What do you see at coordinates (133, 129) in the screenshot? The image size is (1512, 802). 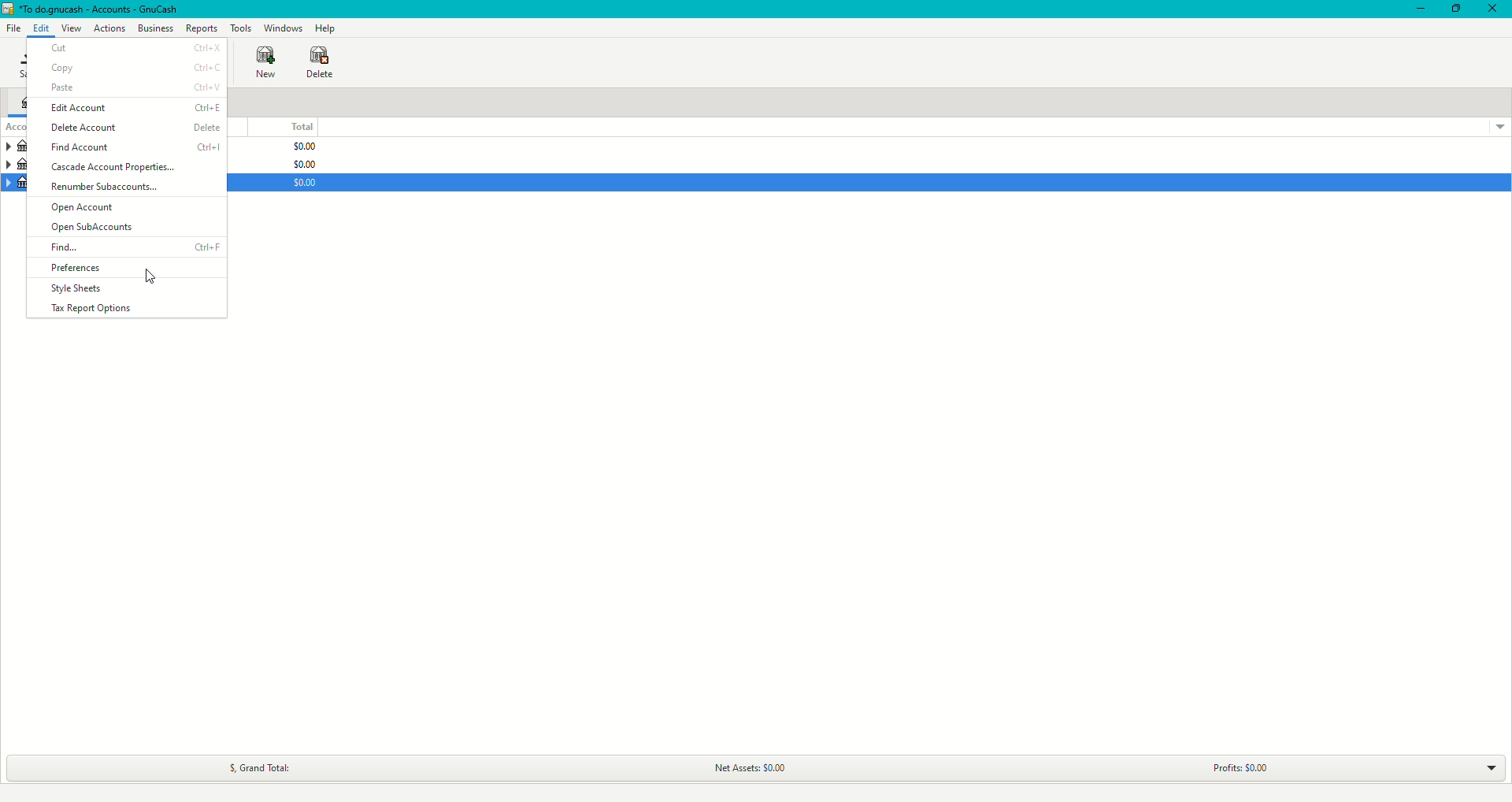 I see `Delete Account` at bounding box center [133, 129].